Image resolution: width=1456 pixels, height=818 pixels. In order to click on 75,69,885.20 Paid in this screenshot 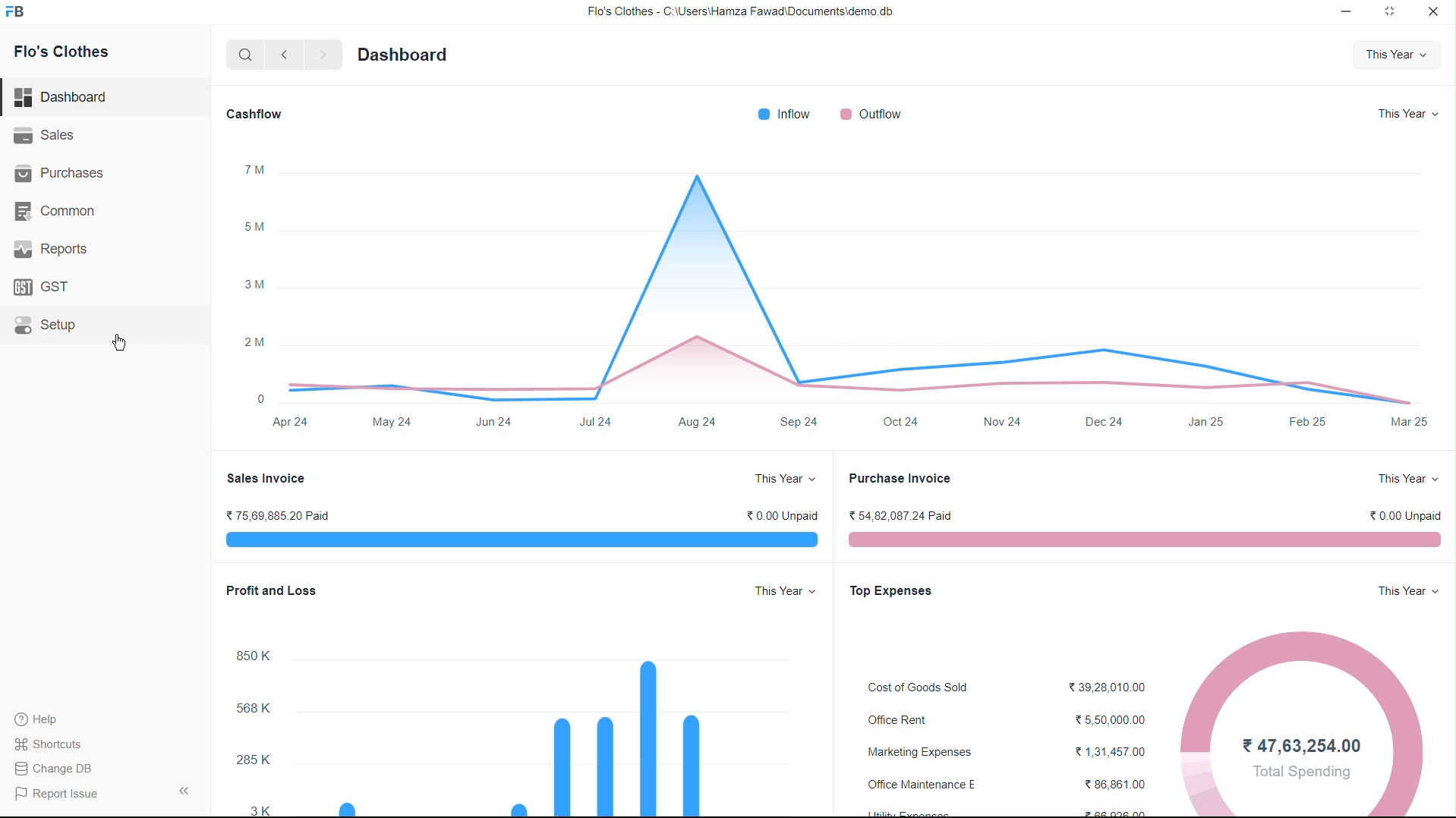, I will do `click(281, 518)`.